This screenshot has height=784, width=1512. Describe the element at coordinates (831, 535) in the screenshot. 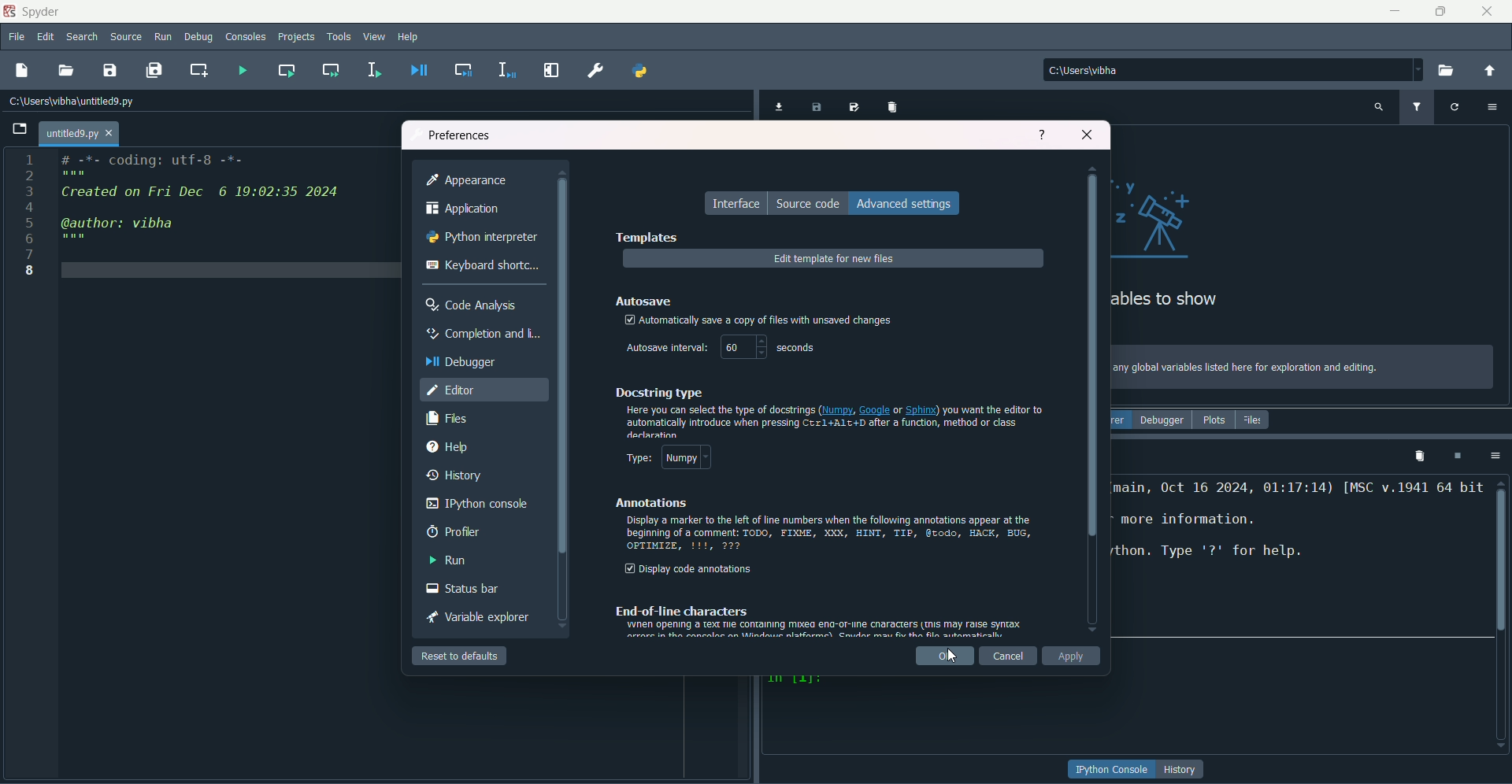

I see `text` at that location.